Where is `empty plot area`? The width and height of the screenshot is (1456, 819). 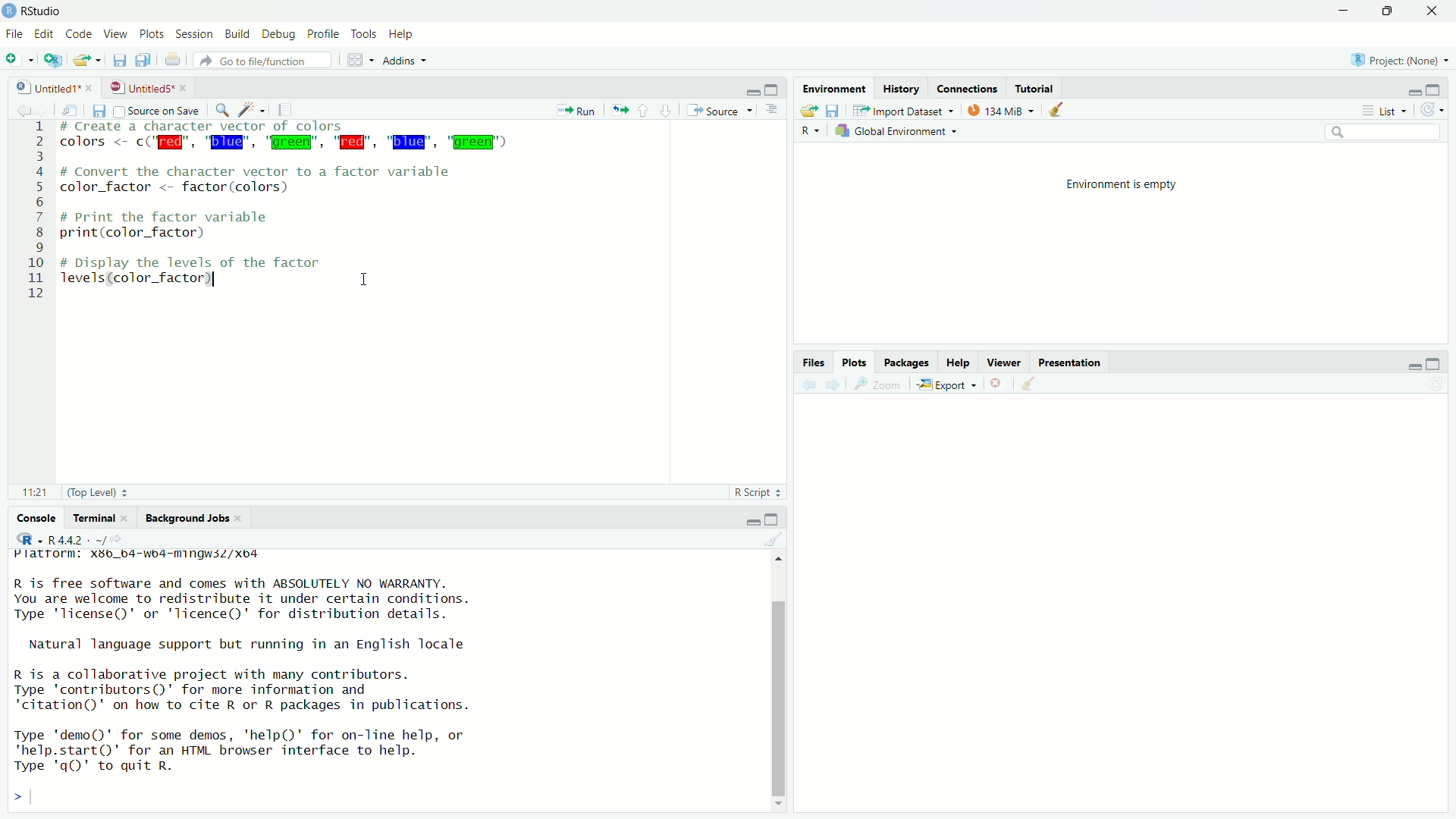 empty plot area is located at coordinates (1131, 613).